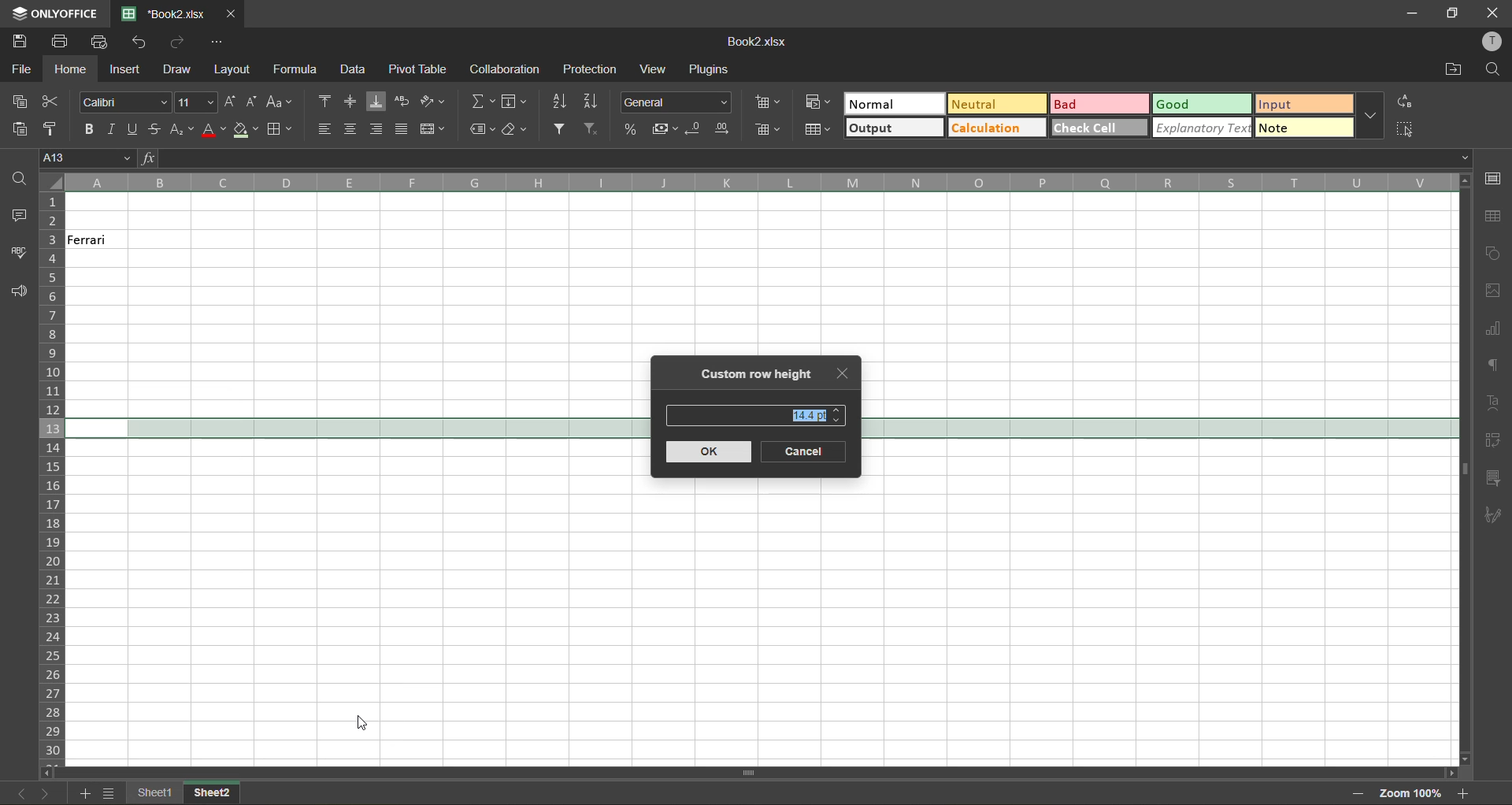 The image size is (1512, 805). I want to click on text, so click(1495, 403).